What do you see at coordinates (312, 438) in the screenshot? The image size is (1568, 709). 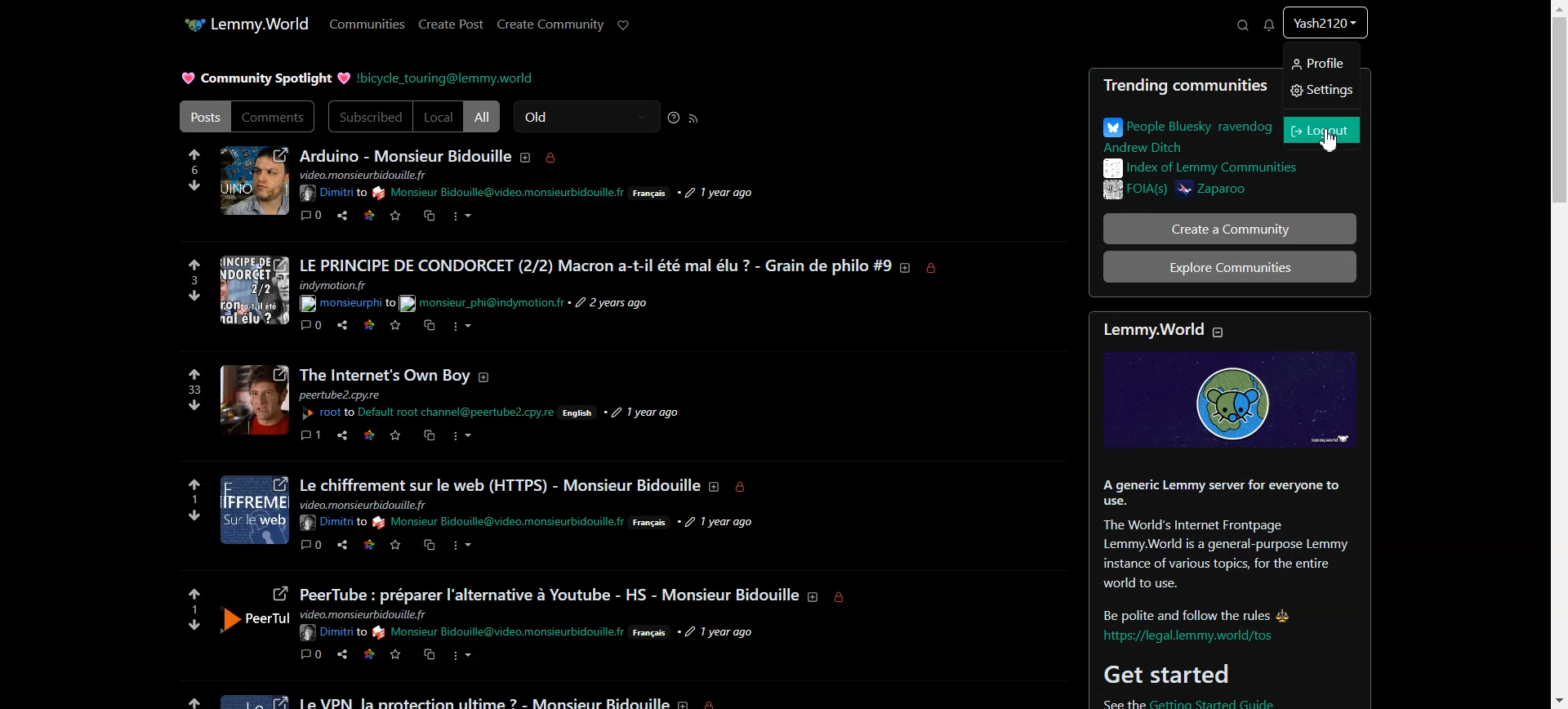 I see `comment` at bounding box center [312, 438].